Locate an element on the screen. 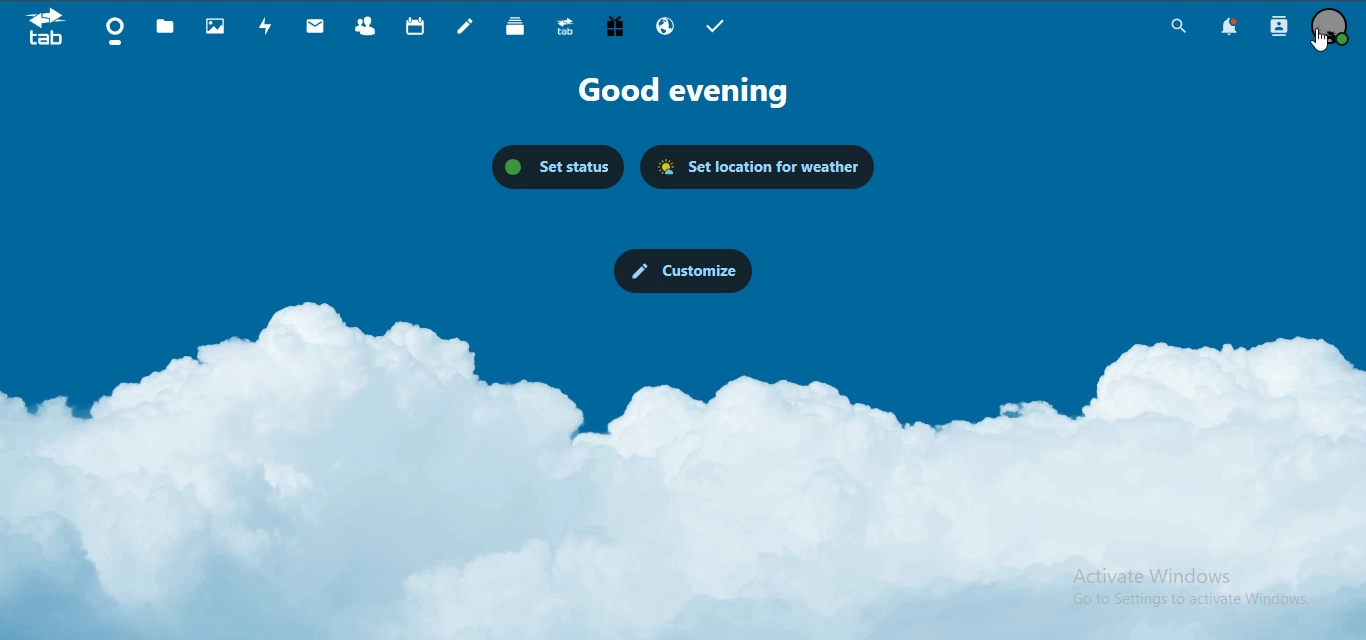  photos is located at coordinates (218, 27).